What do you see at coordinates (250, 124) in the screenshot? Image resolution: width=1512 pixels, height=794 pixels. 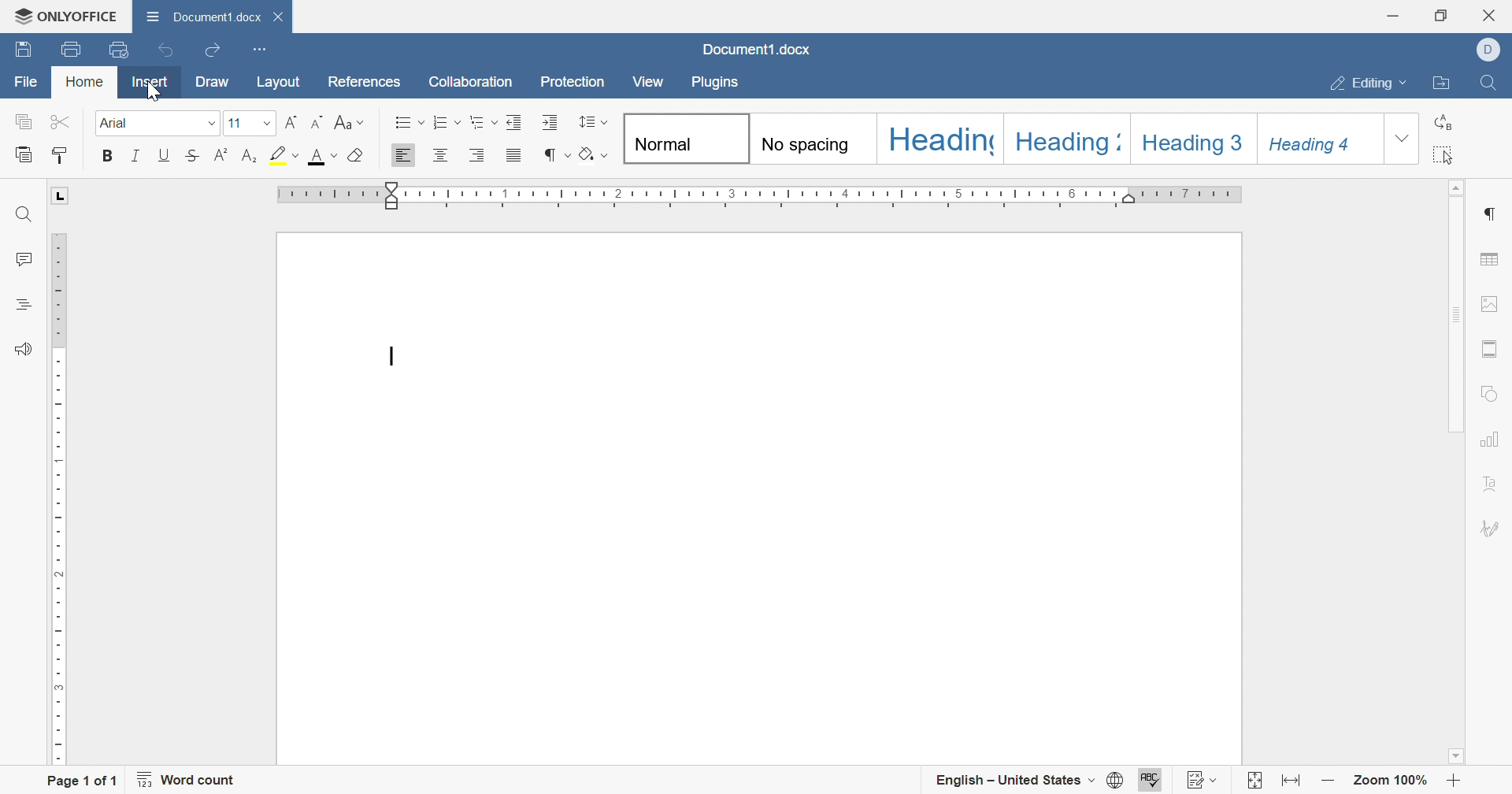 I see `Font size` at bounding box center [250, 124].